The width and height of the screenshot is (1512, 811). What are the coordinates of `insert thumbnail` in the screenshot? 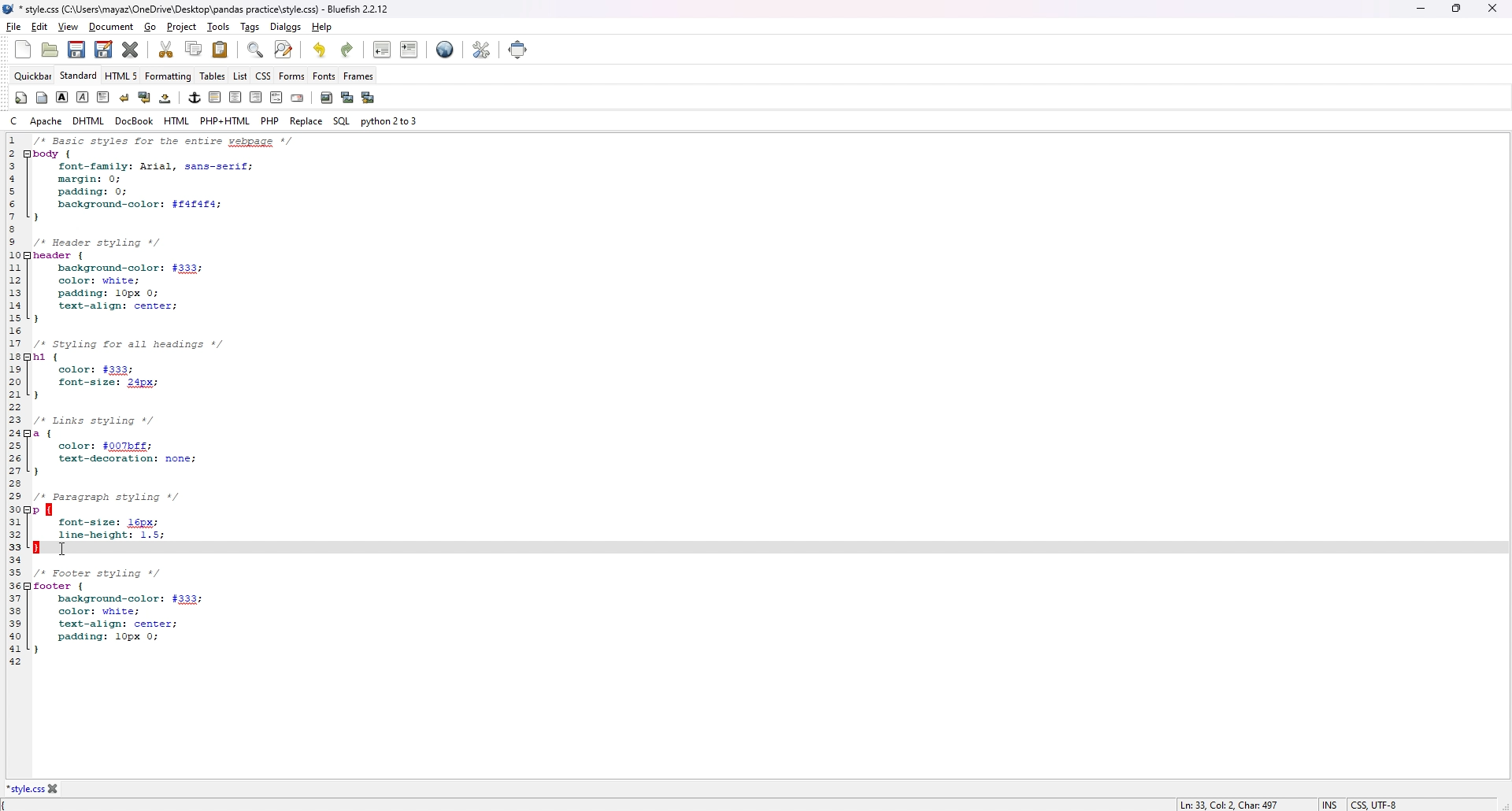 It's located at (347, 98).